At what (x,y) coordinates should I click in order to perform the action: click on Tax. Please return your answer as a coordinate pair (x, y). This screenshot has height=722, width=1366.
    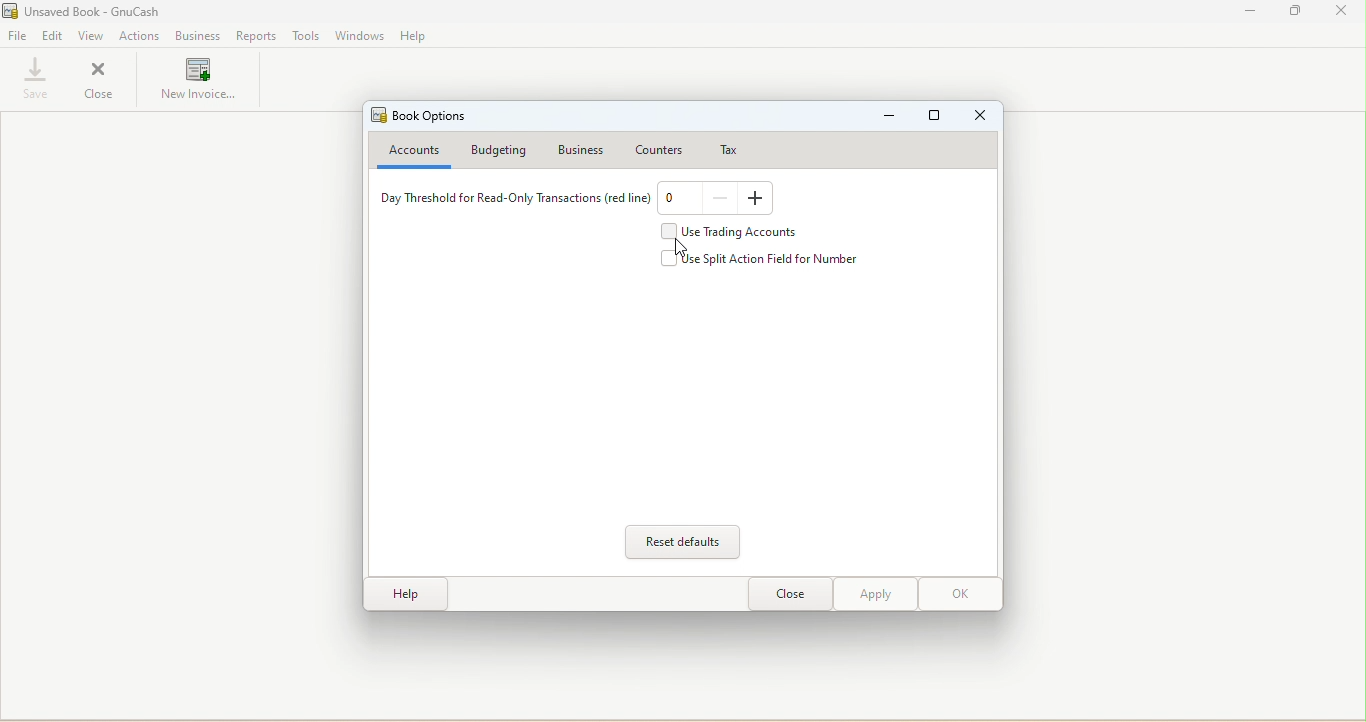
    Looking at the image, I should click on (722, 149).